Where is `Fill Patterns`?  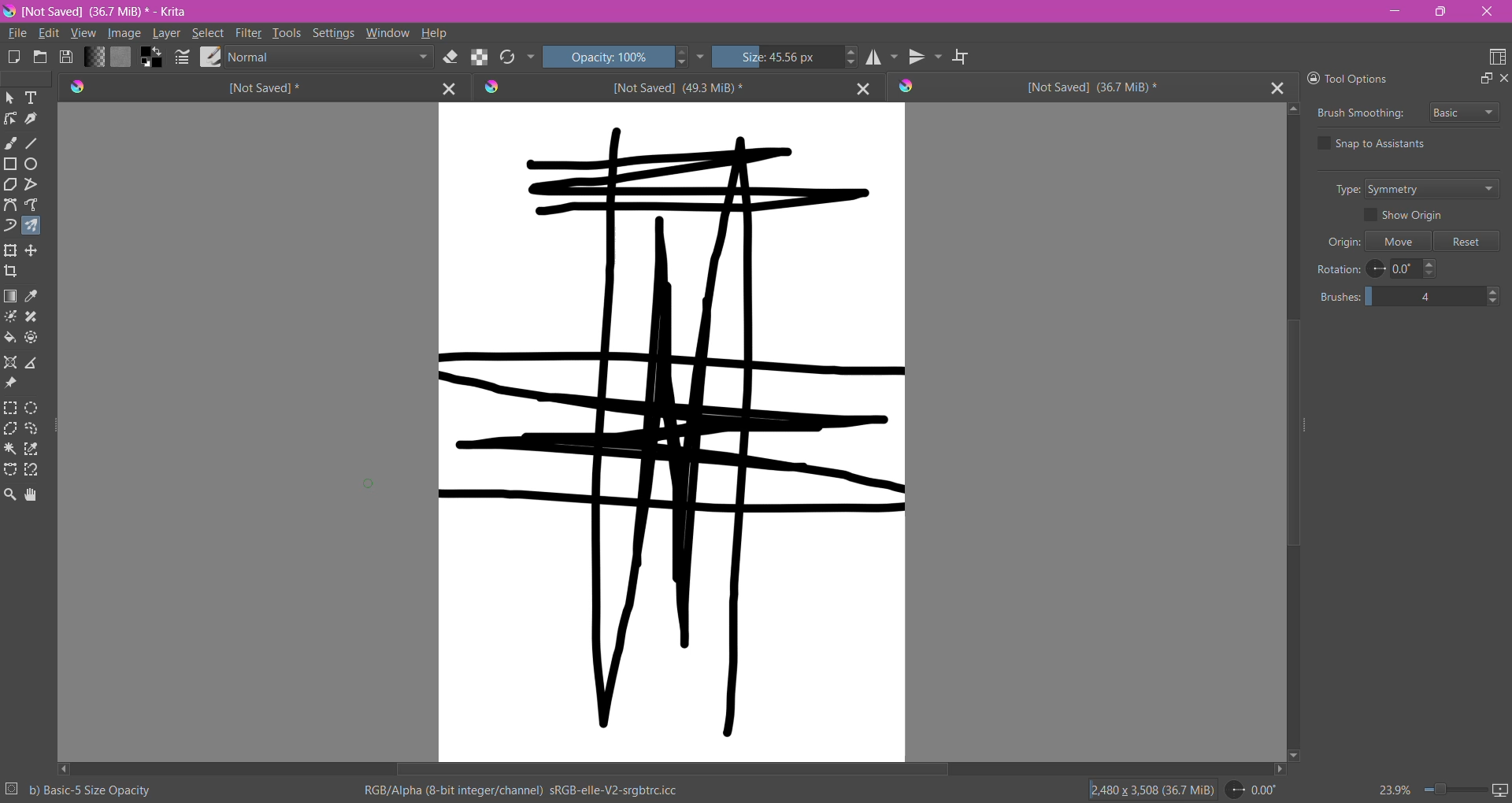
Fill Patterns is located at coordinates (122, 57).